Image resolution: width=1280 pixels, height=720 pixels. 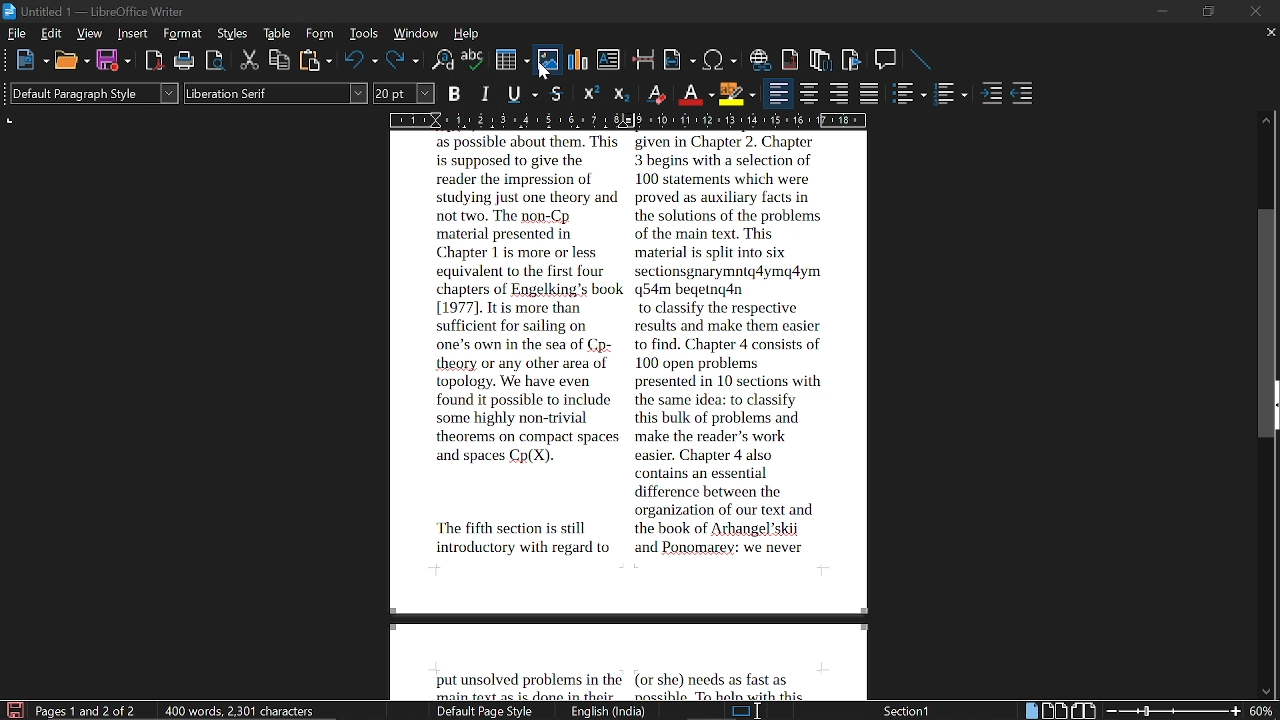 I want to click on word count, so click(x=244, y=711).